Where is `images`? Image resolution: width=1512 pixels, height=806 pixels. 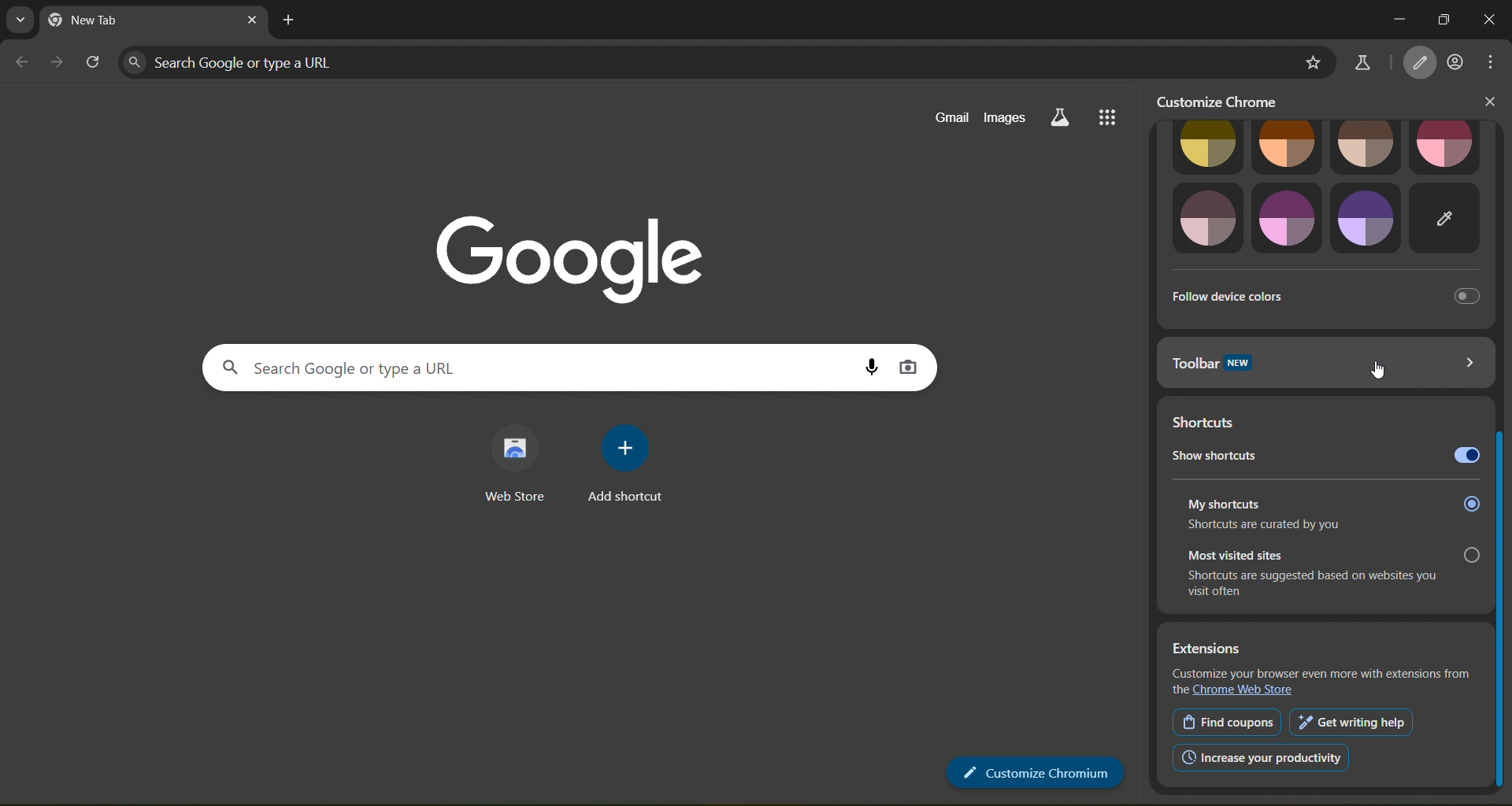
images is located at coordinates (1007, 119).